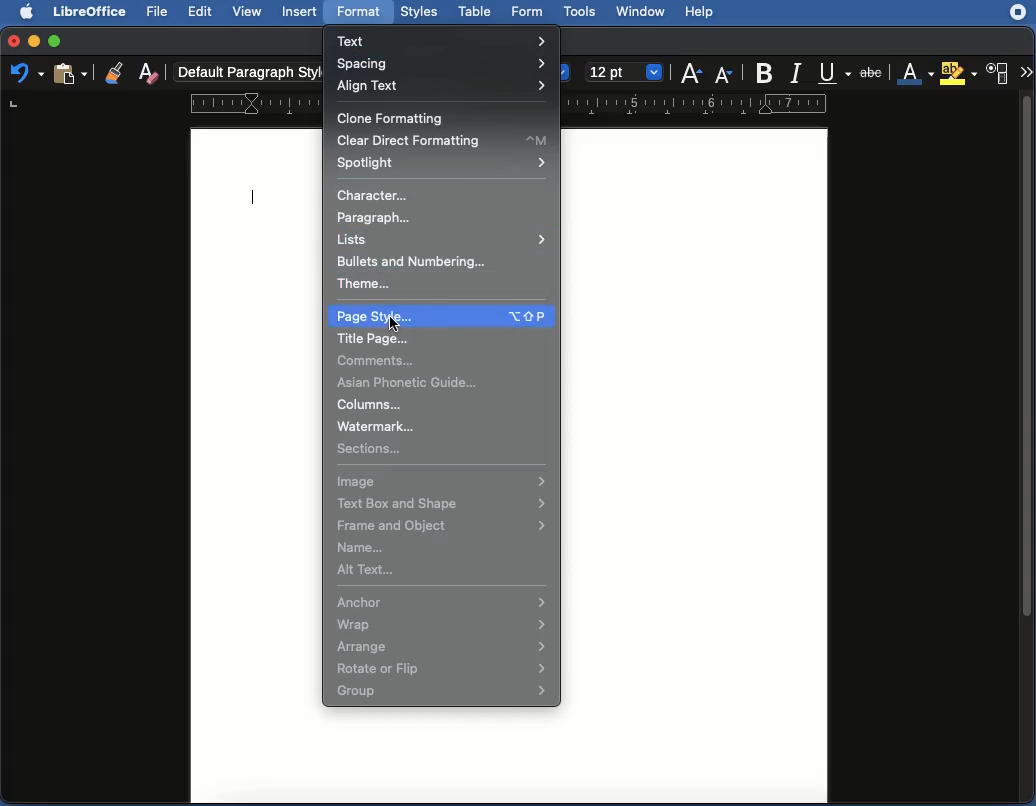 This screenshot has width=1036, height=806. Describe the element at coordinates (691, 75) in the screenshot. I see `Size up` at that location.